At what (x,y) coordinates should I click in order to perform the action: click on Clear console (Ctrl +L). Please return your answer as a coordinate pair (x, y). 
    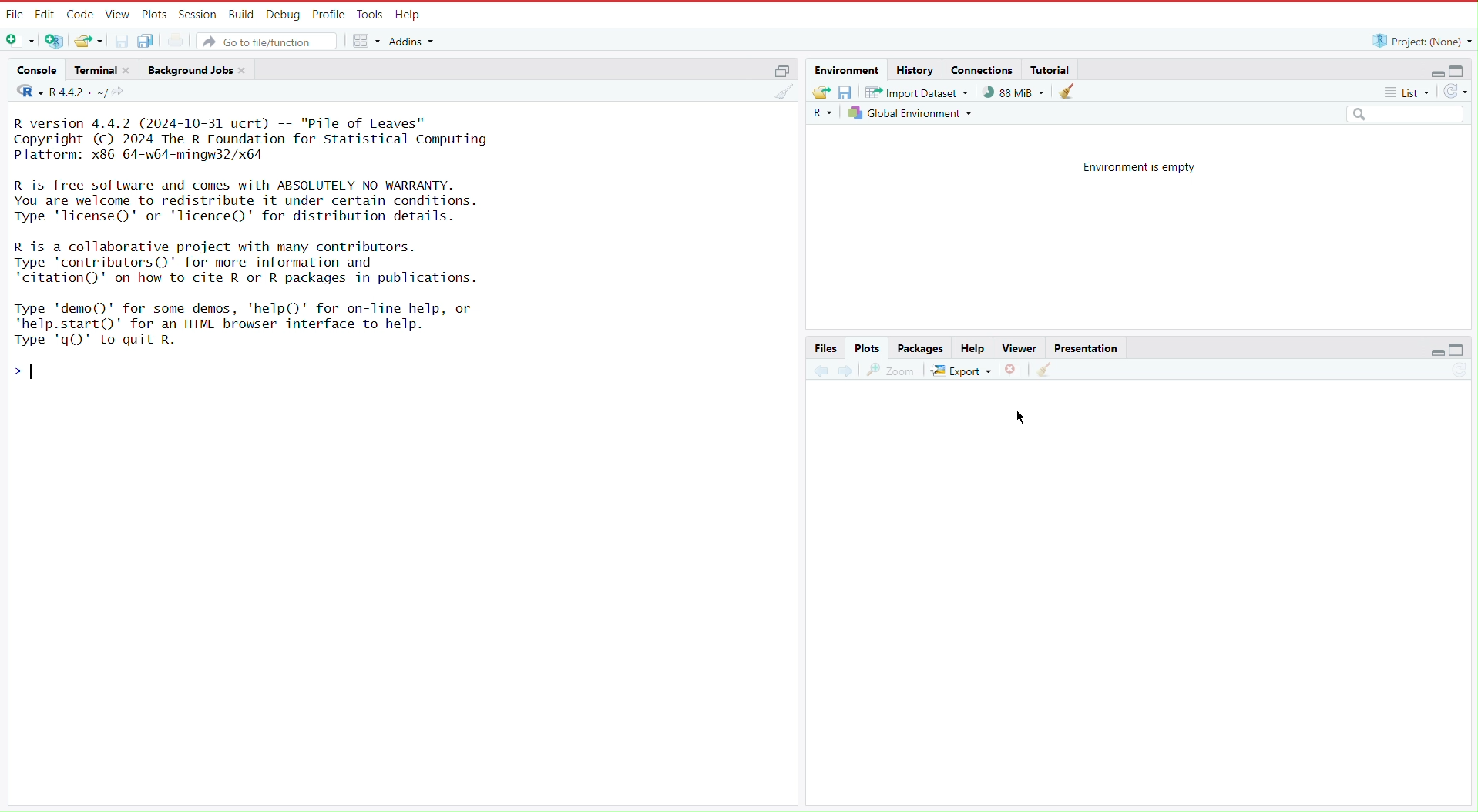
    Looking at the image, I should click on (786, 97).